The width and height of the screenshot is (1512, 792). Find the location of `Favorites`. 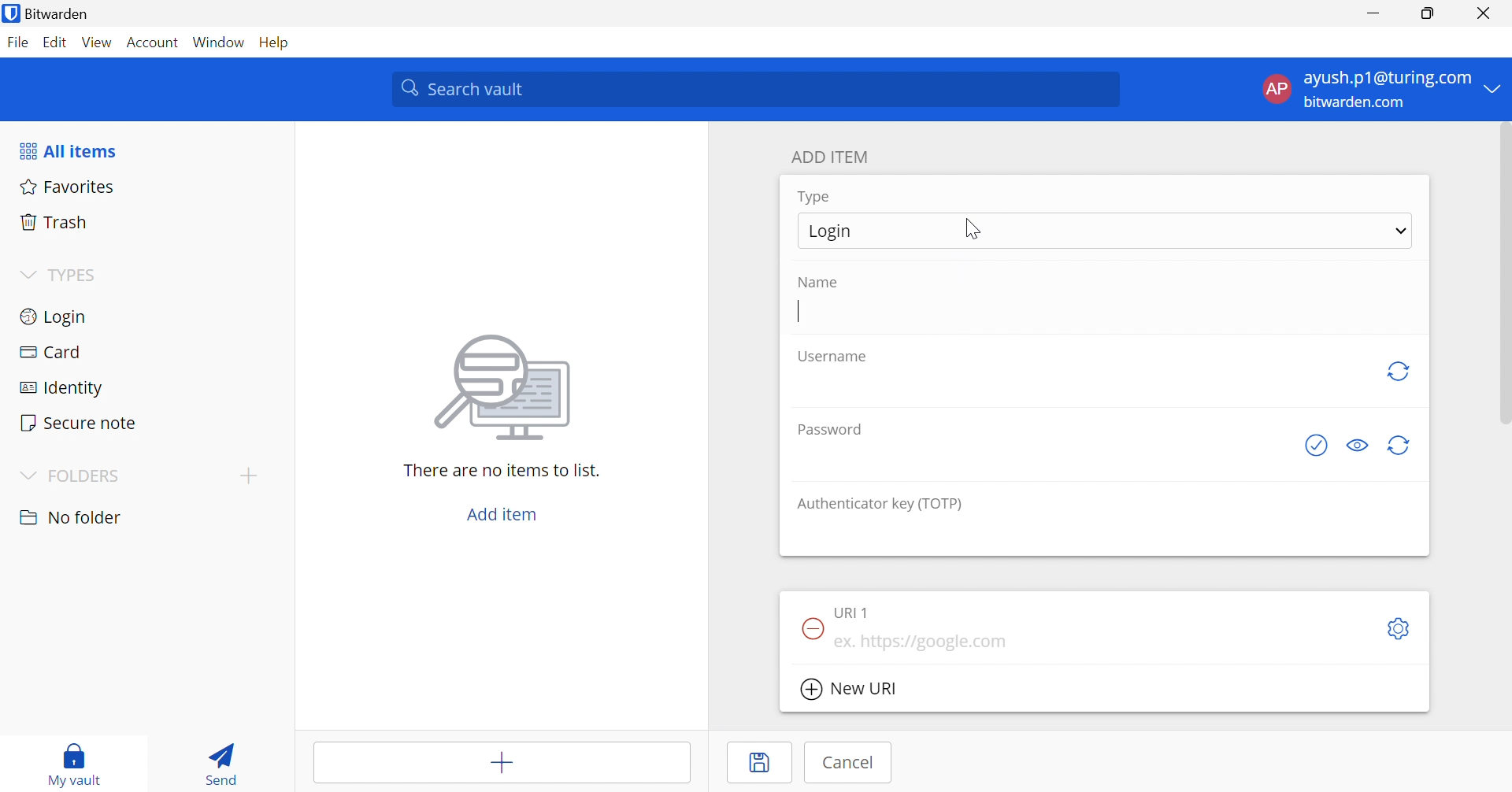

Favorites is located at coordinates (146, 188).